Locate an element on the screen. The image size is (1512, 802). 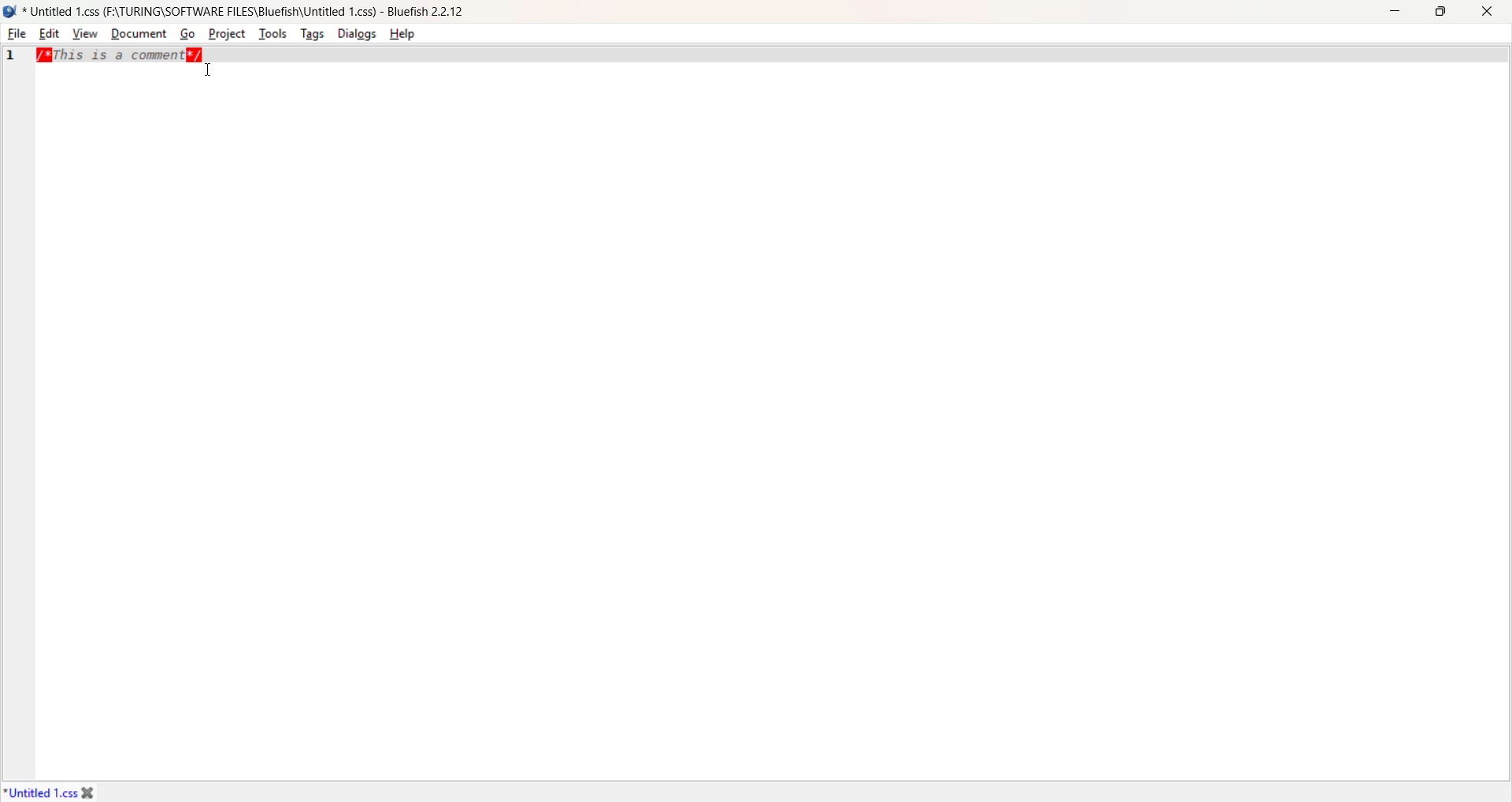
Close is located at coordinates (1491, 13).